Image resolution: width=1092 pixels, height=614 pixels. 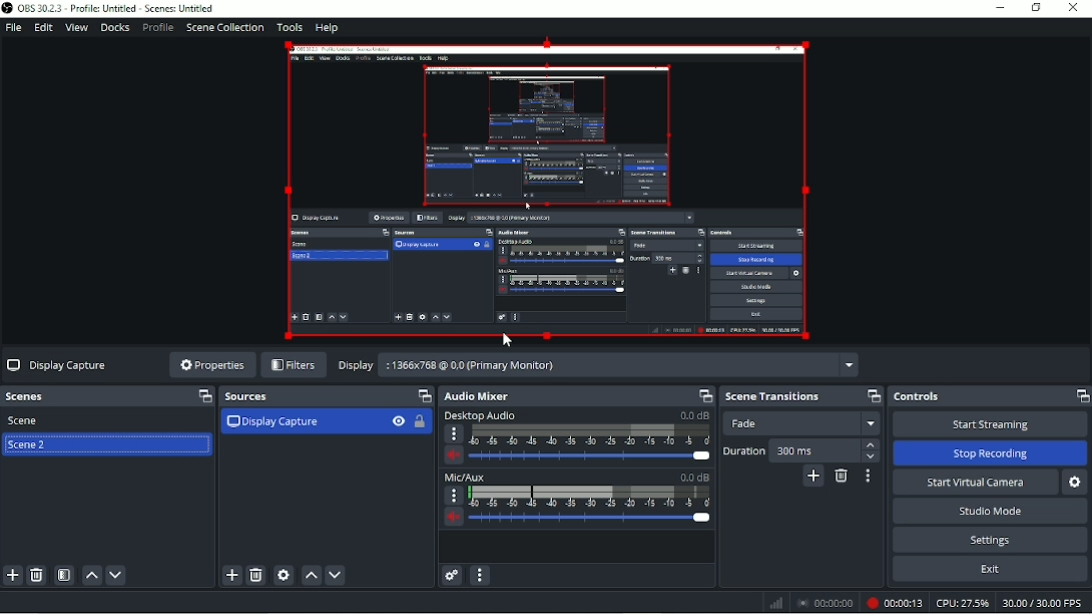 What do you see at coordinates (992, 540) in the screenshot?
I see `Settings` at bounding box center [992, 540].